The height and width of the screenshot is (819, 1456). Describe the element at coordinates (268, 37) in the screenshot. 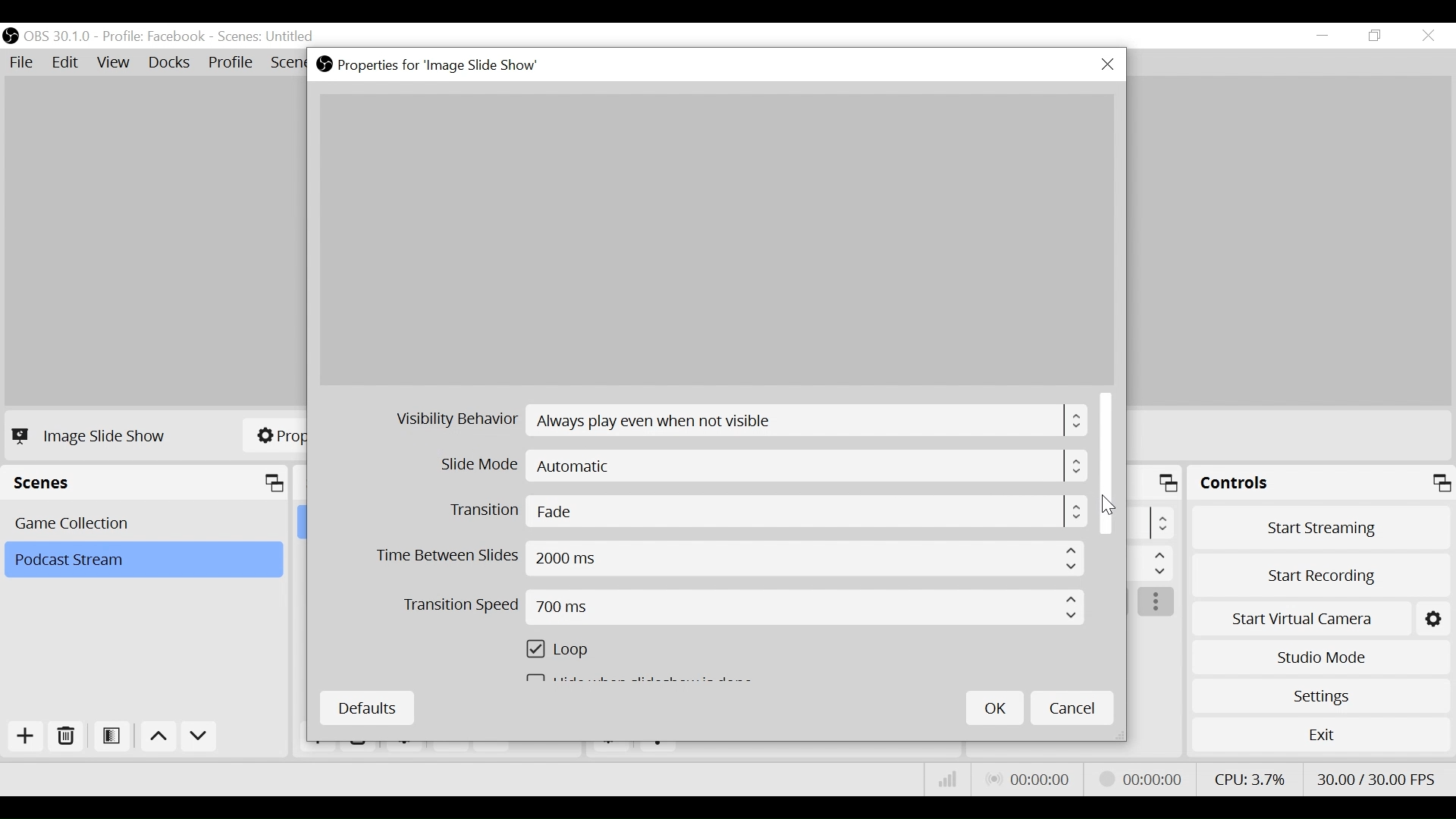

I see `Scene` at that location.